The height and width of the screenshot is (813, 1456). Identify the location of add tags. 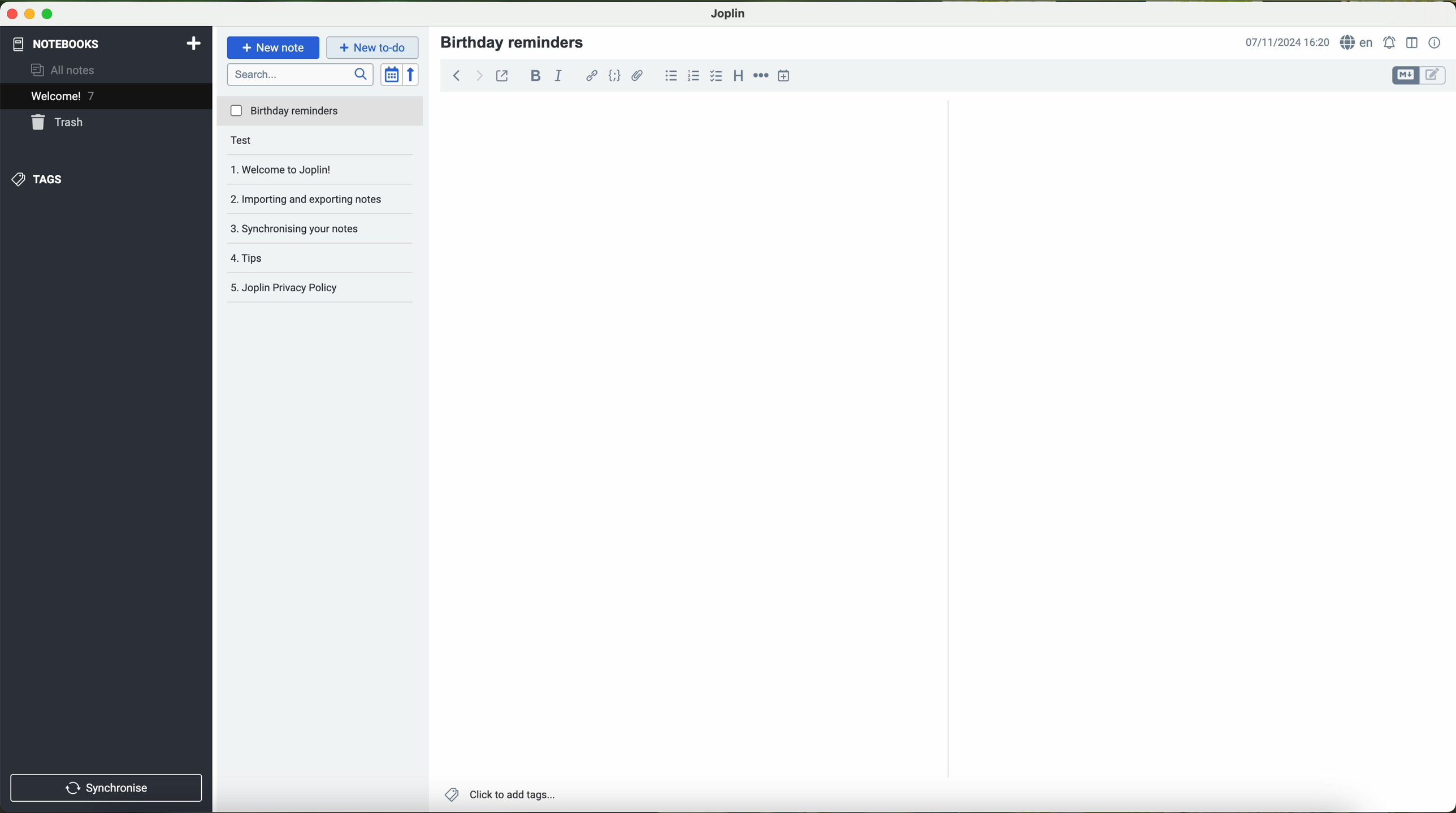
(503, 794).